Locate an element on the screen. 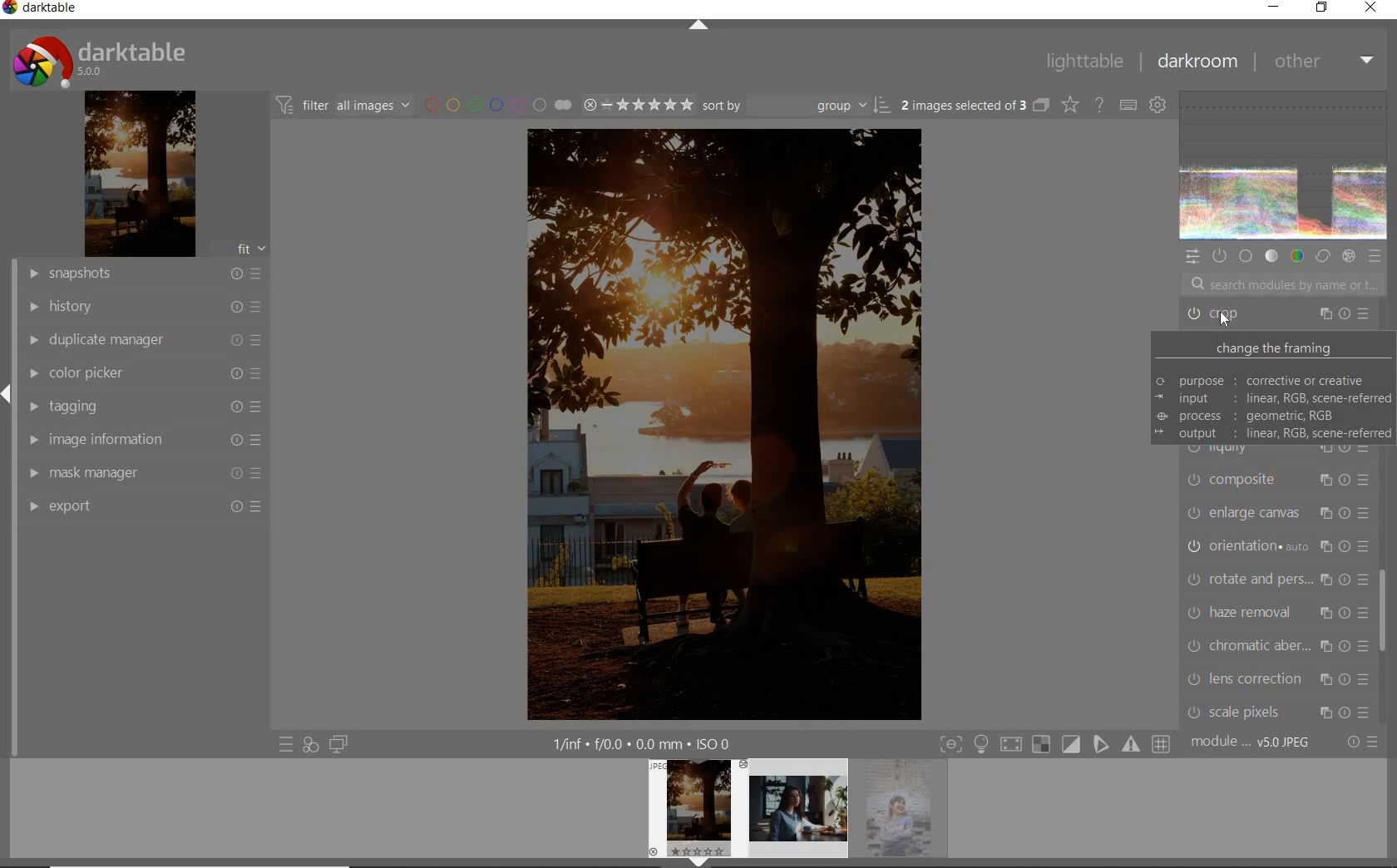  lighttable is located at coordinates (1085, 62).